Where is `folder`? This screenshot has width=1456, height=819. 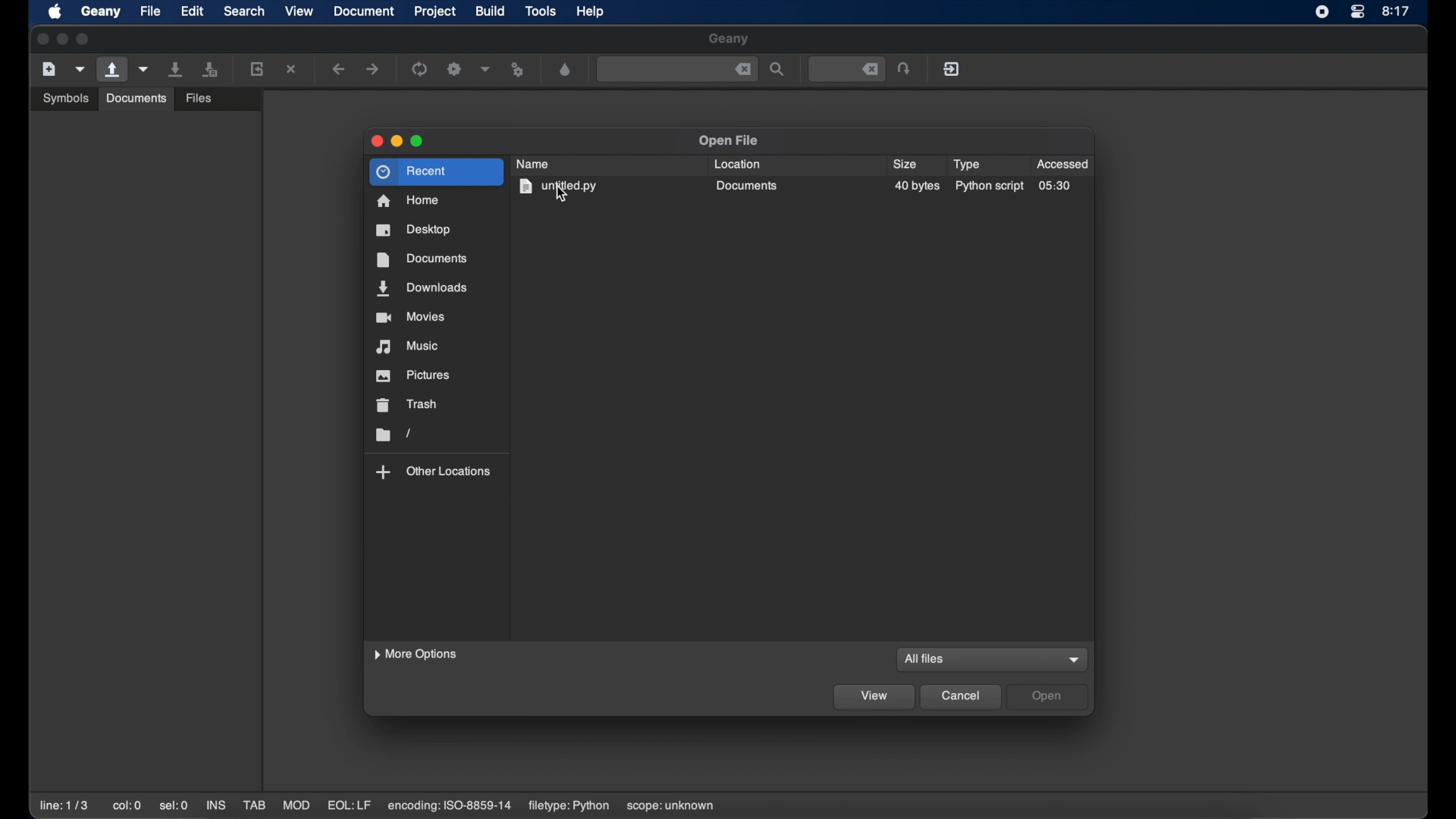 folder is located at coordinates (393, 435).